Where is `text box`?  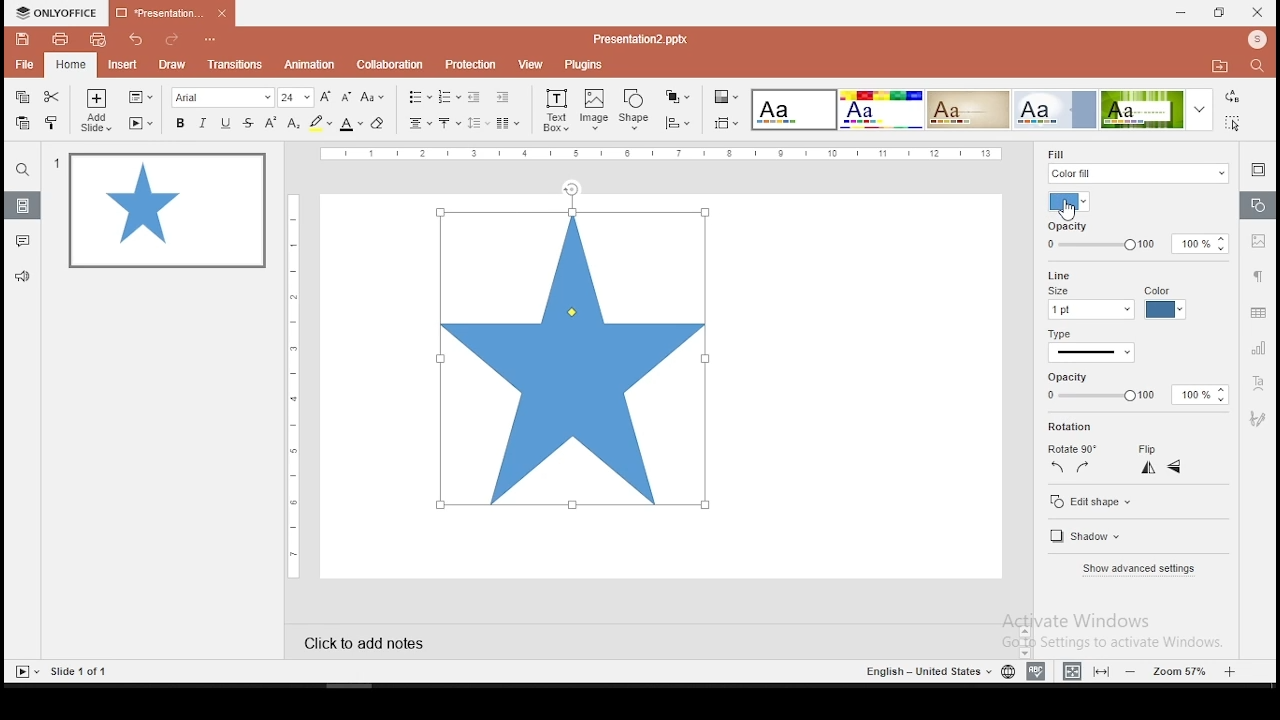 text box is located at coordinates (555, 109).